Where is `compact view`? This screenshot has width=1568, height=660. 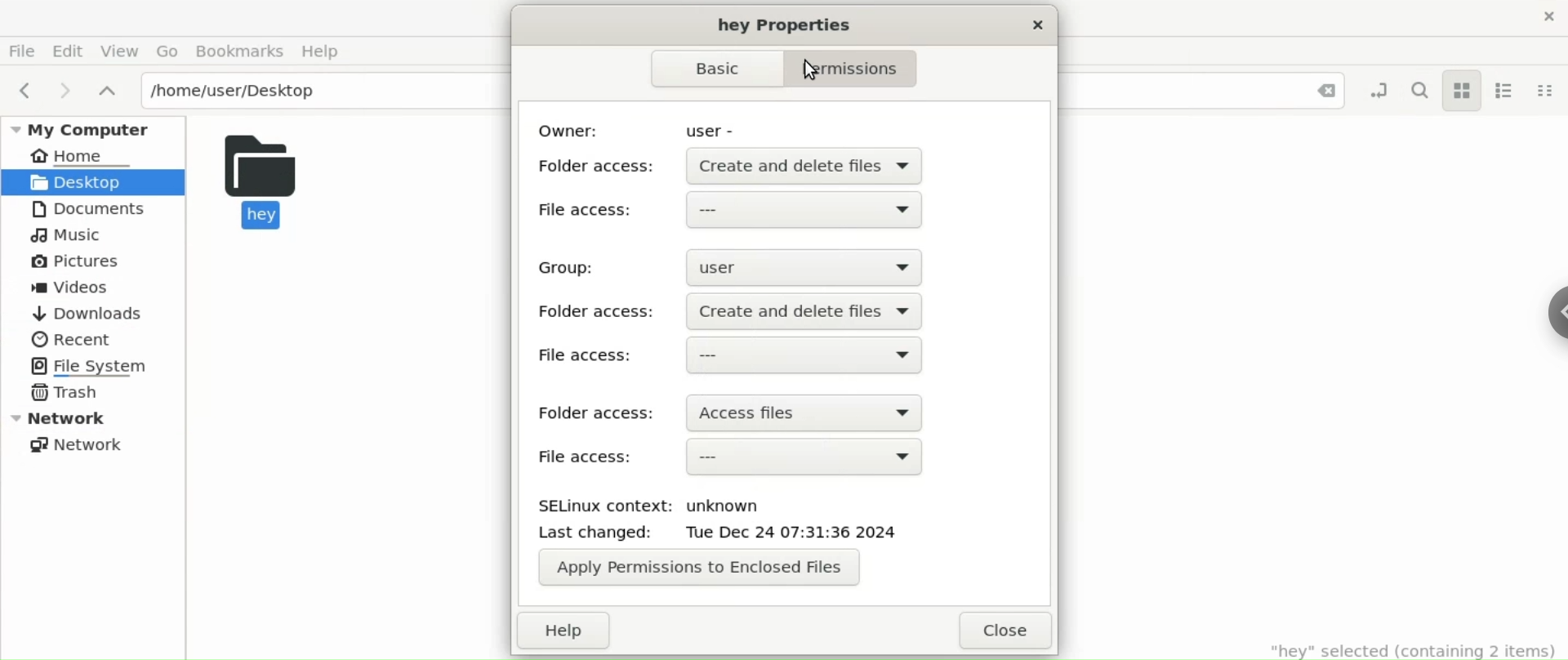 compact view is located at coordinates (1549, 92).